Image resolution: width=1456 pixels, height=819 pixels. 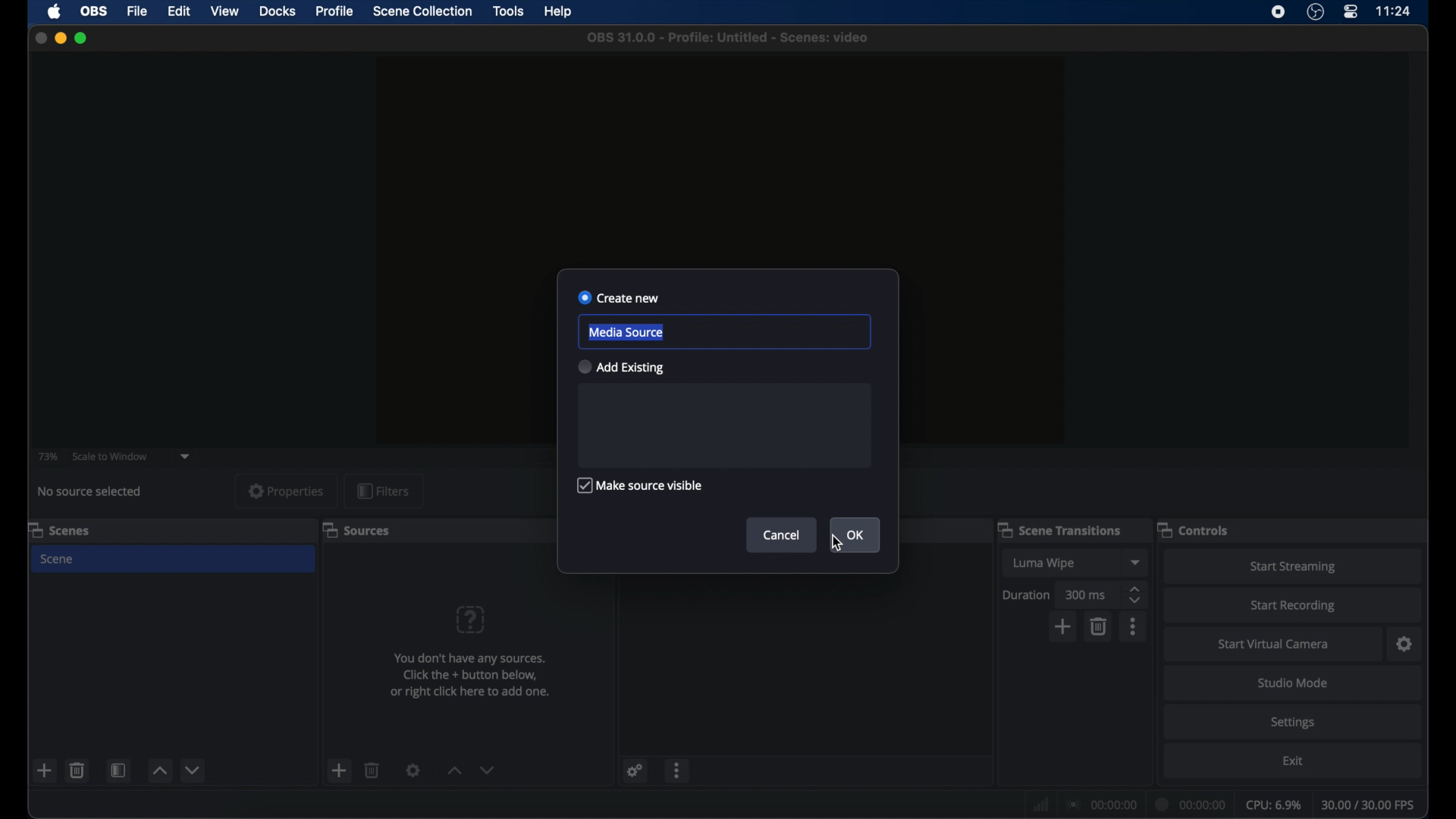 What do you see at coordinates (138, 11) in the screenshot?
I see `file` at bounding box center [138, 11].